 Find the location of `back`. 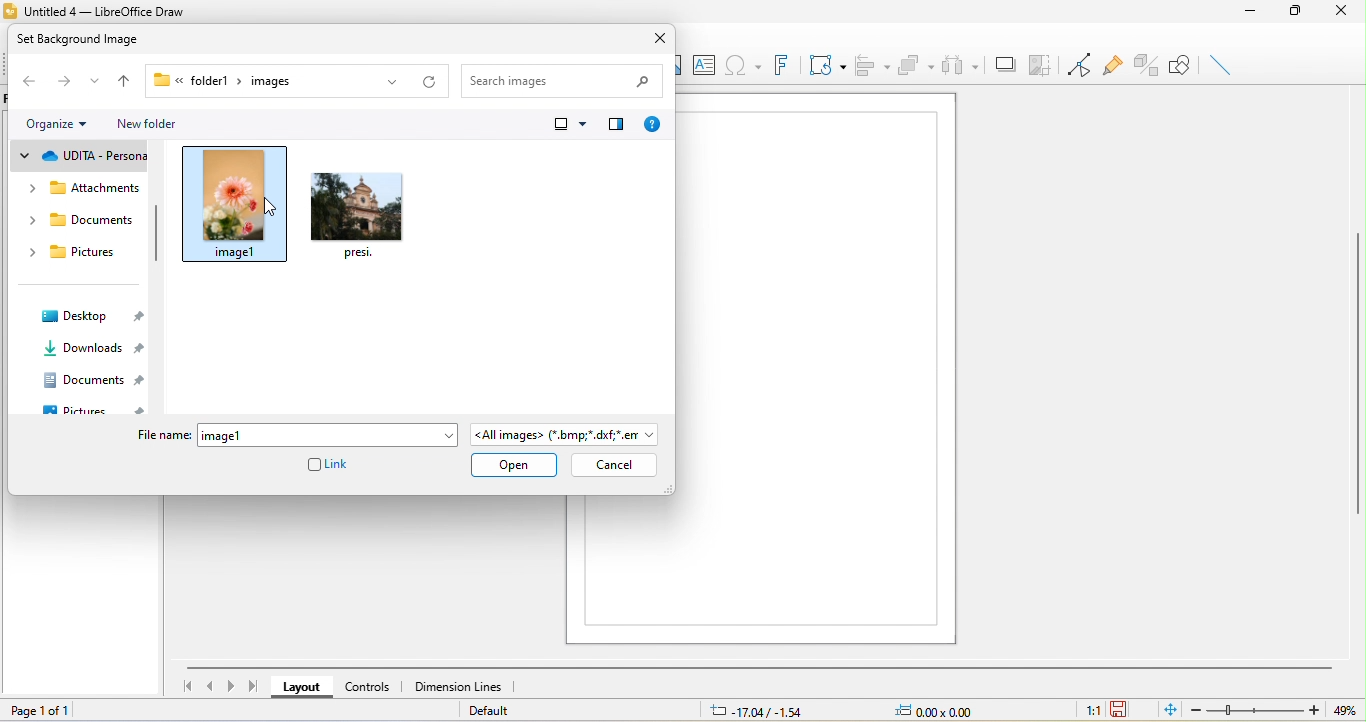

back is located at coordinates (29, 83).